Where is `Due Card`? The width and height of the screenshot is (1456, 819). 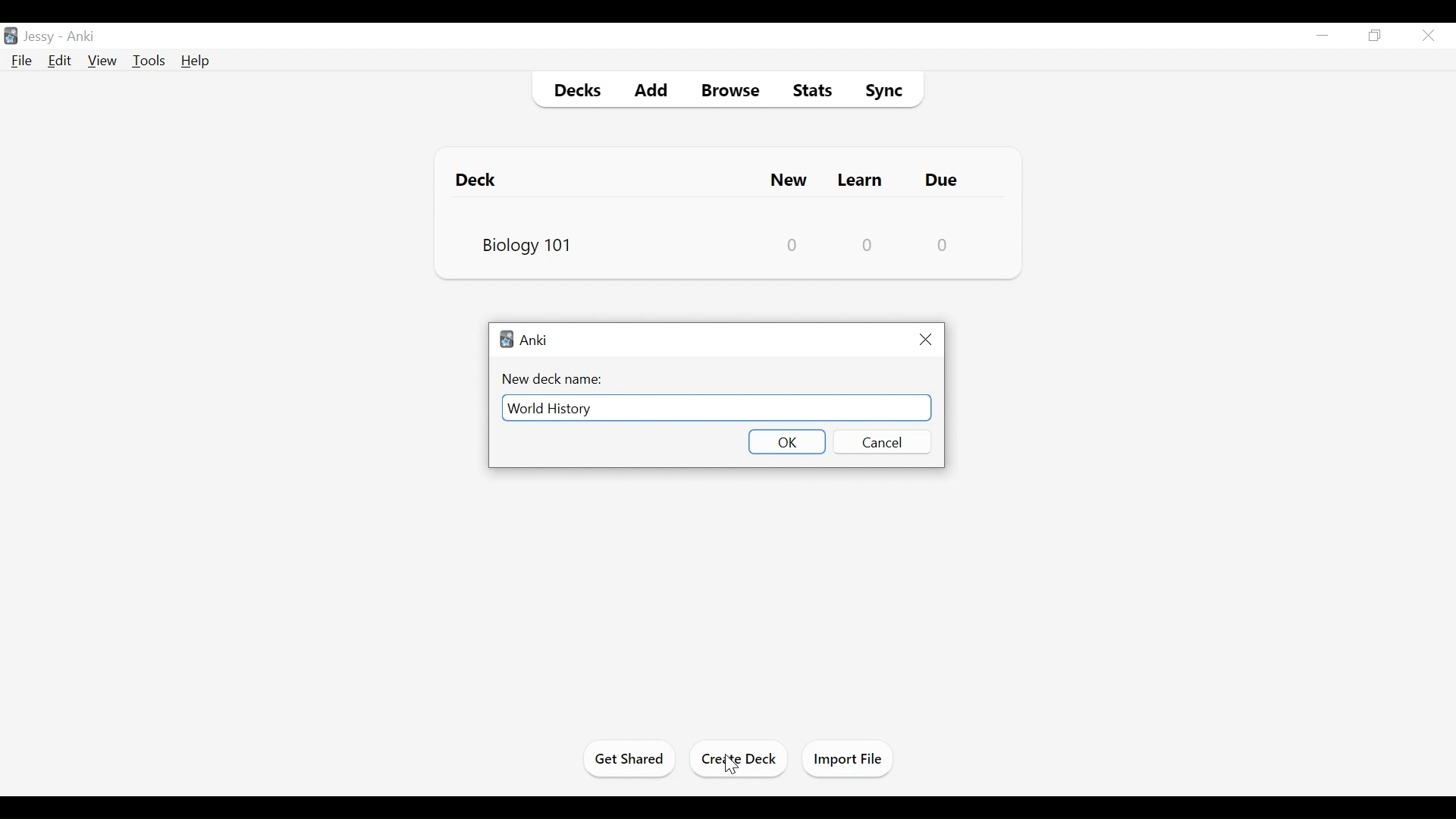
Due Card is located at coordinates (944, 180).